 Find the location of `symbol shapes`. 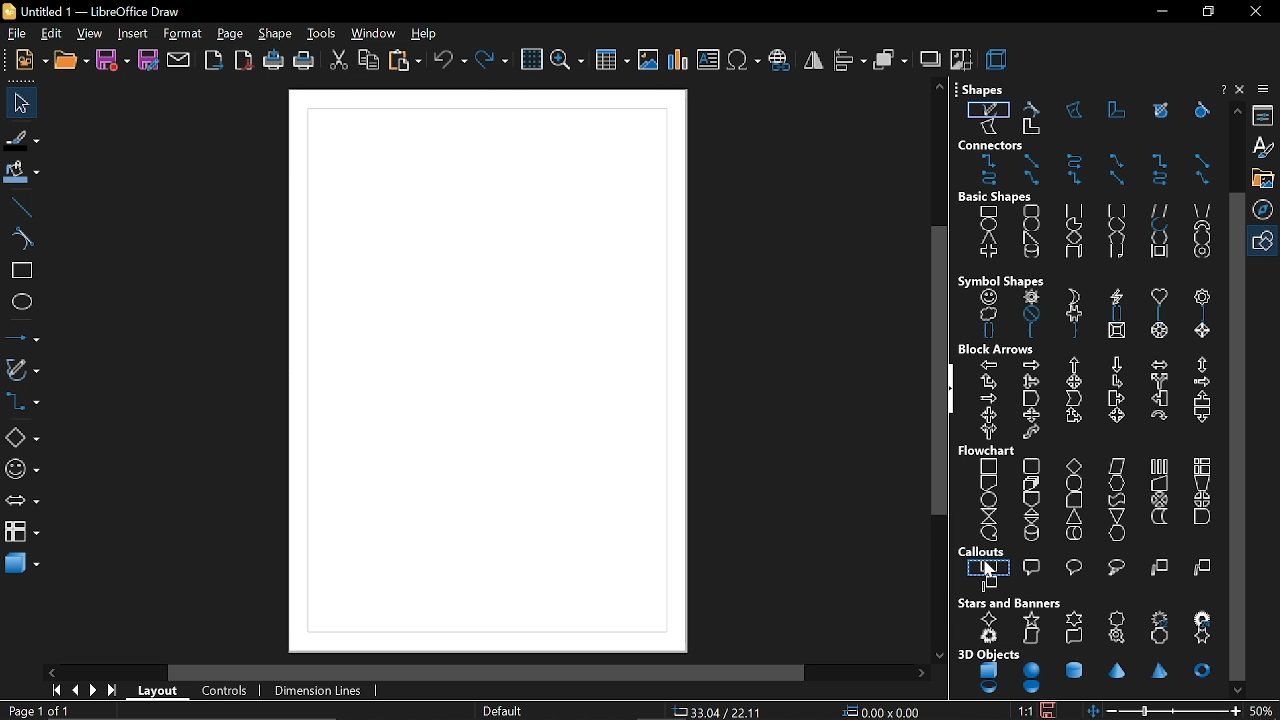

symbol shapes is located at coordinates (1002, 280).